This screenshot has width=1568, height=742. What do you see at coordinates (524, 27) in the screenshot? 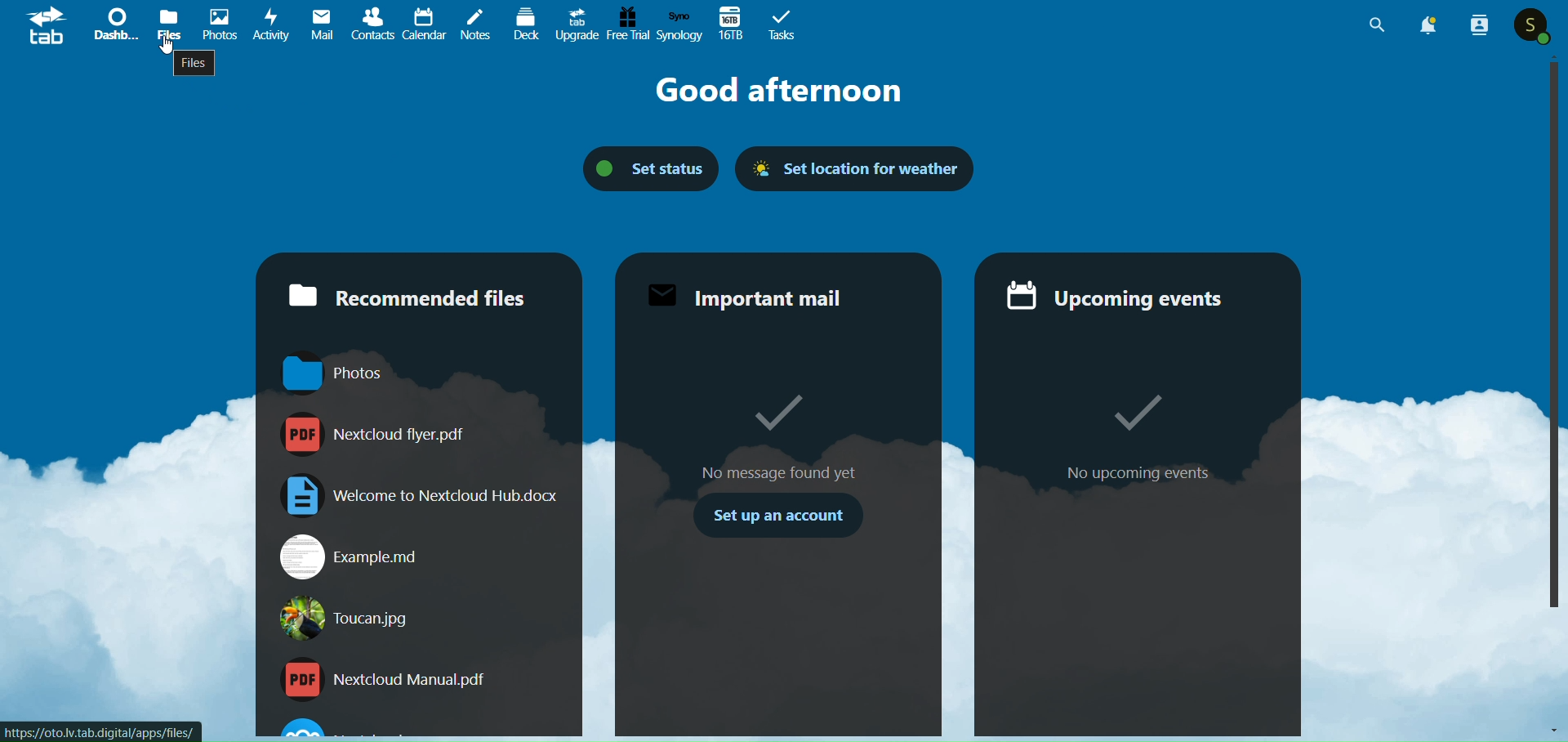
I see `deck` at bounding box center [524, 27].